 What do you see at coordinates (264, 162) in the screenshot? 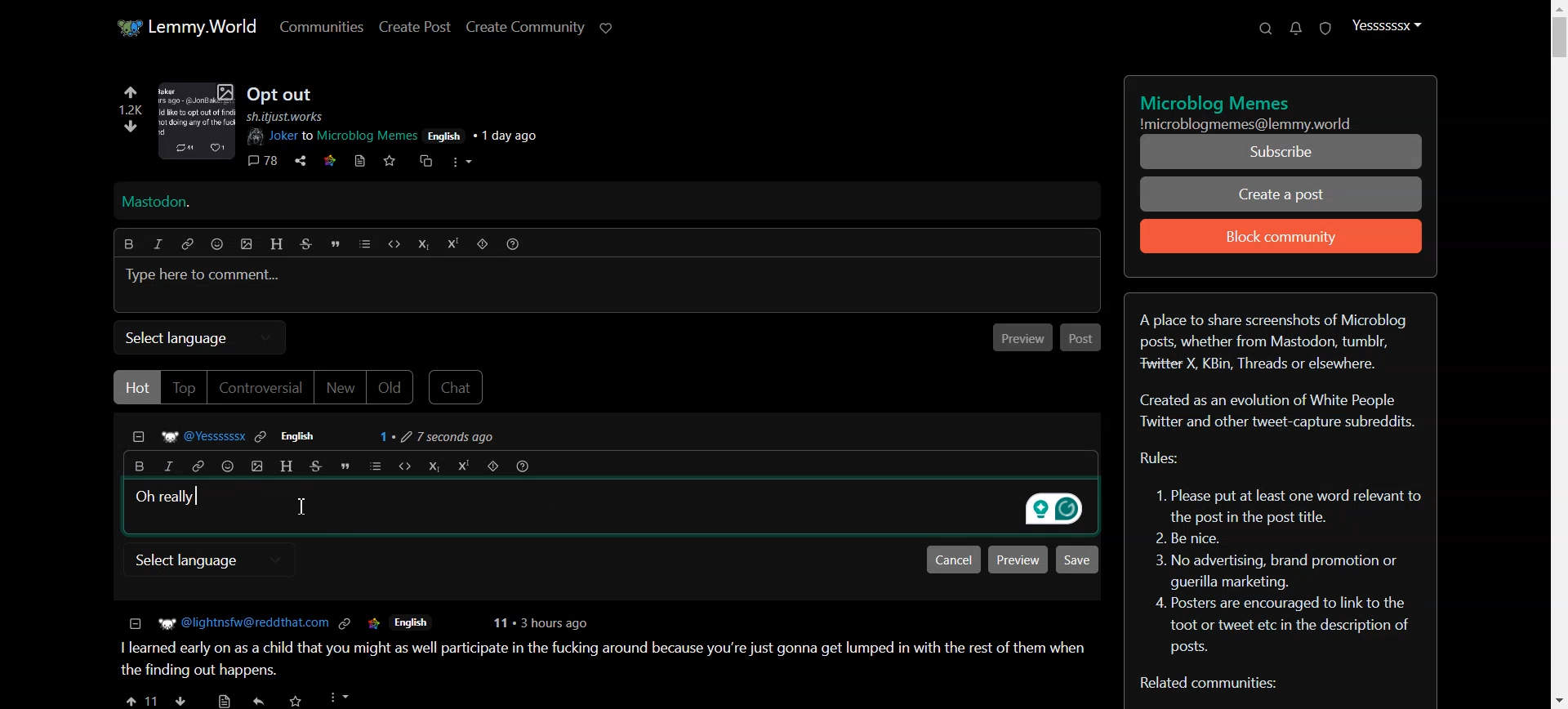
I see `comments` at bounding box center [264, 162].